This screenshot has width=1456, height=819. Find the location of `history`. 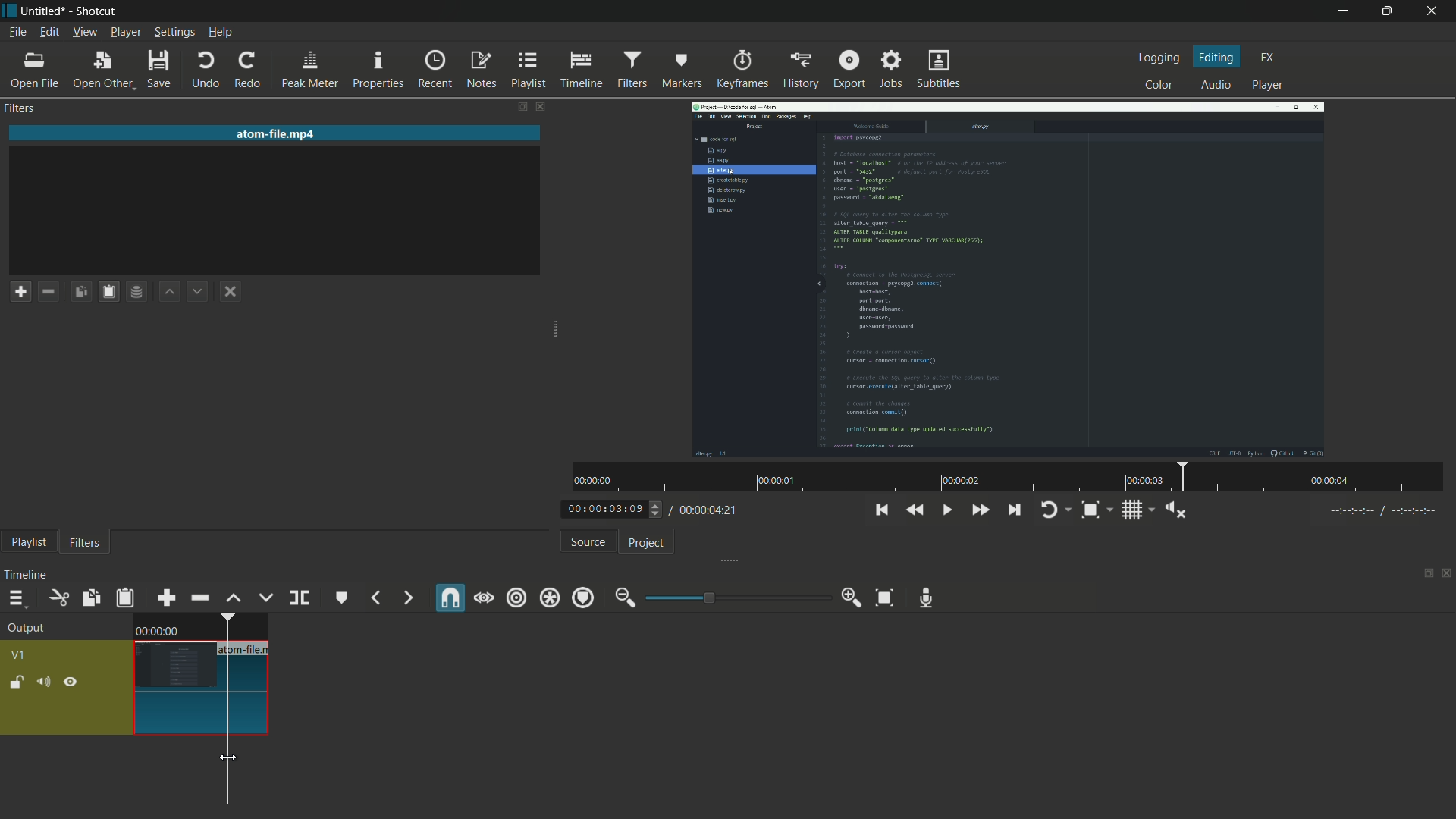

history is located at coordinates (802, 71).